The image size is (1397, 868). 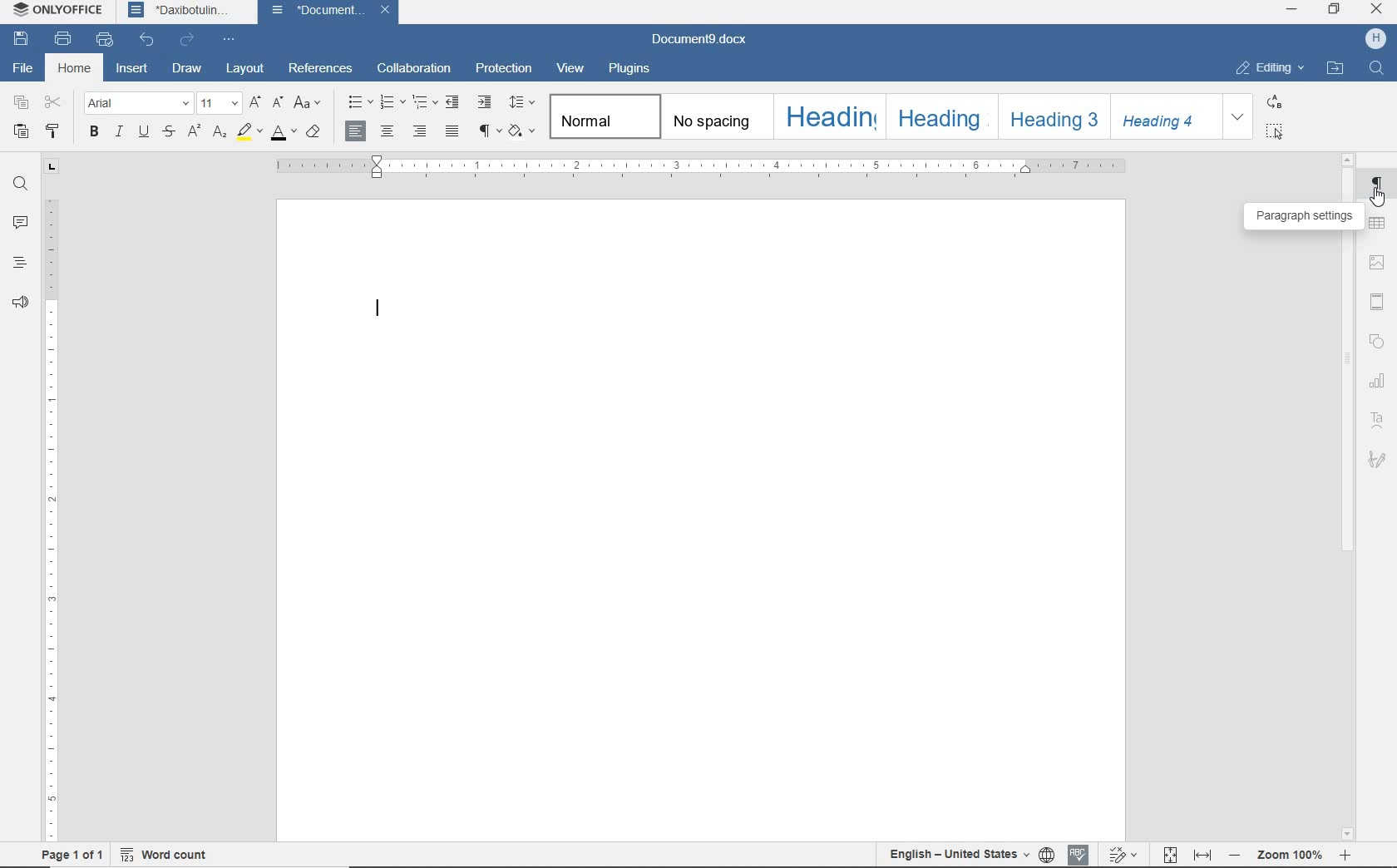 I want to click on no spacing, so click(x=715, y=118).